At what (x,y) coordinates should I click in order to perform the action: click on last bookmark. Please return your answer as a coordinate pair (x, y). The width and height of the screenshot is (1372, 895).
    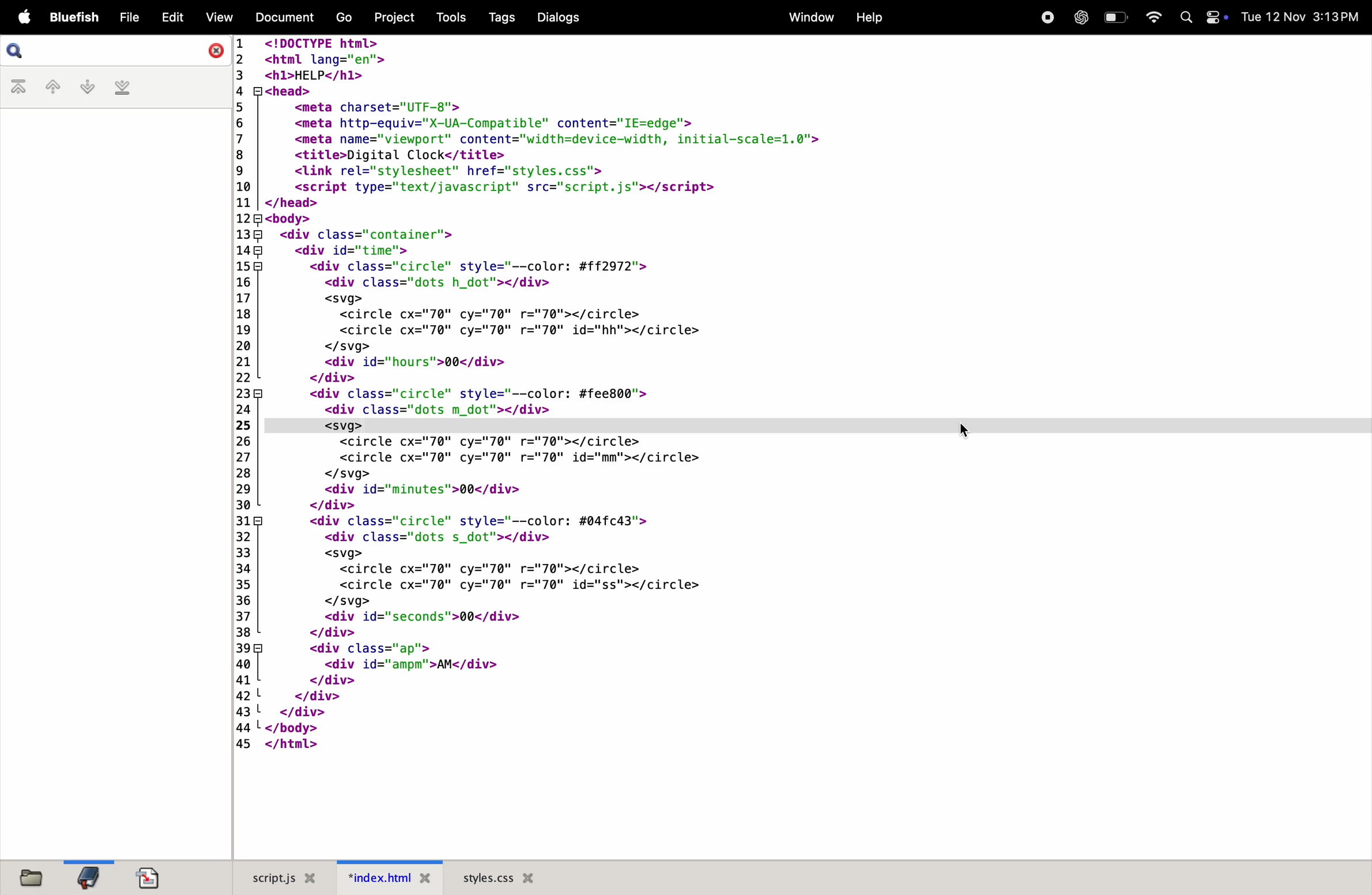
    Looking at the image, I should click on (122, 88).